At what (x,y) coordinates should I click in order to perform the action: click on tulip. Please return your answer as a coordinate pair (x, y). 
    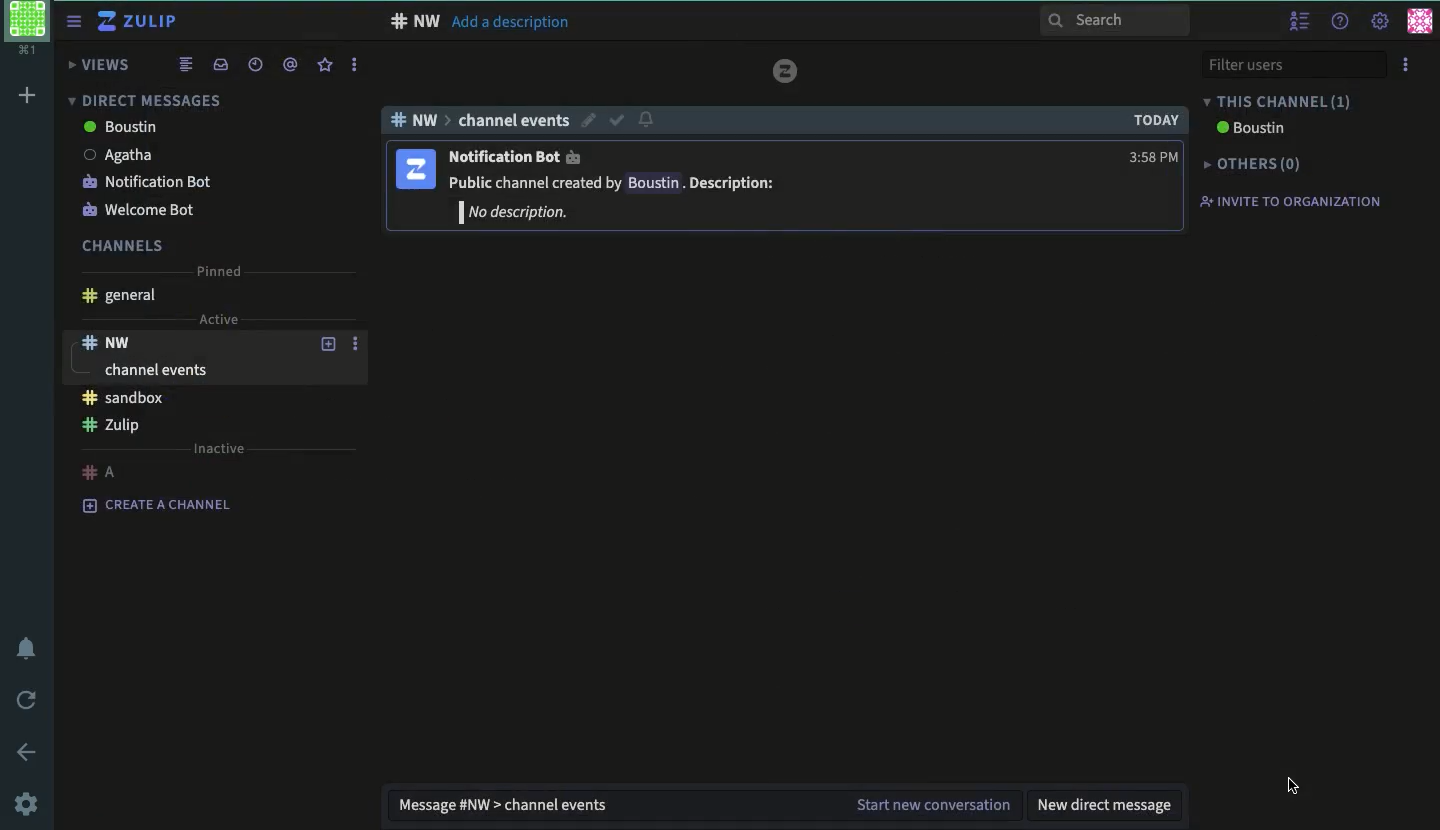
    Looking at the image, I should click on (783, 72).